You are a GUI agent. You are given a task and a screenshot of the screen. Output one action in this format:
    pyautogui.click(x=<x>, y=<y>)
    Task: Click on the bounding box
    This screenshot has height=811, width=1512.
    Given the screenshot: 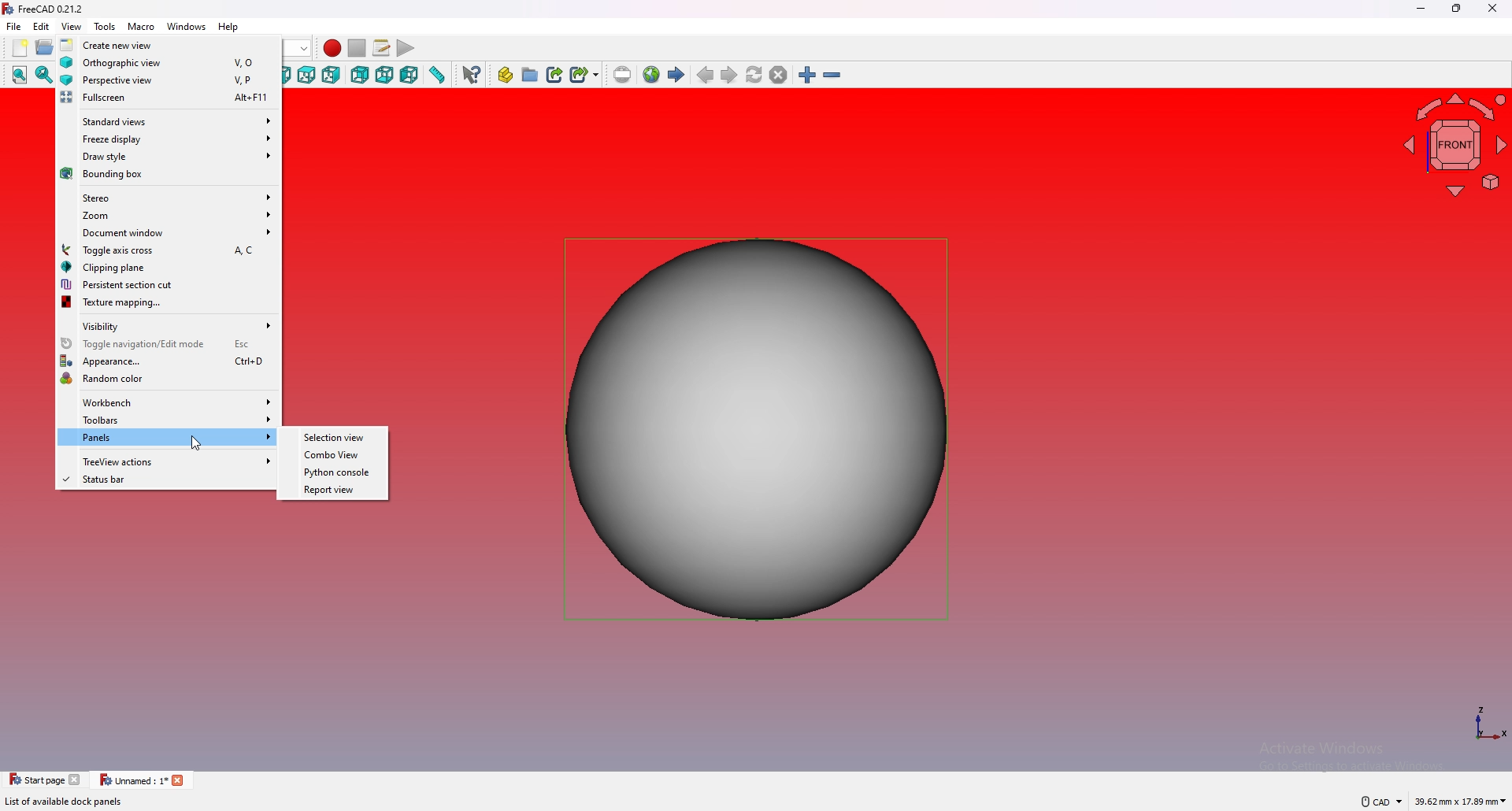 What is the action you would take?
    pyautogui.click(x=169, y=175)
    